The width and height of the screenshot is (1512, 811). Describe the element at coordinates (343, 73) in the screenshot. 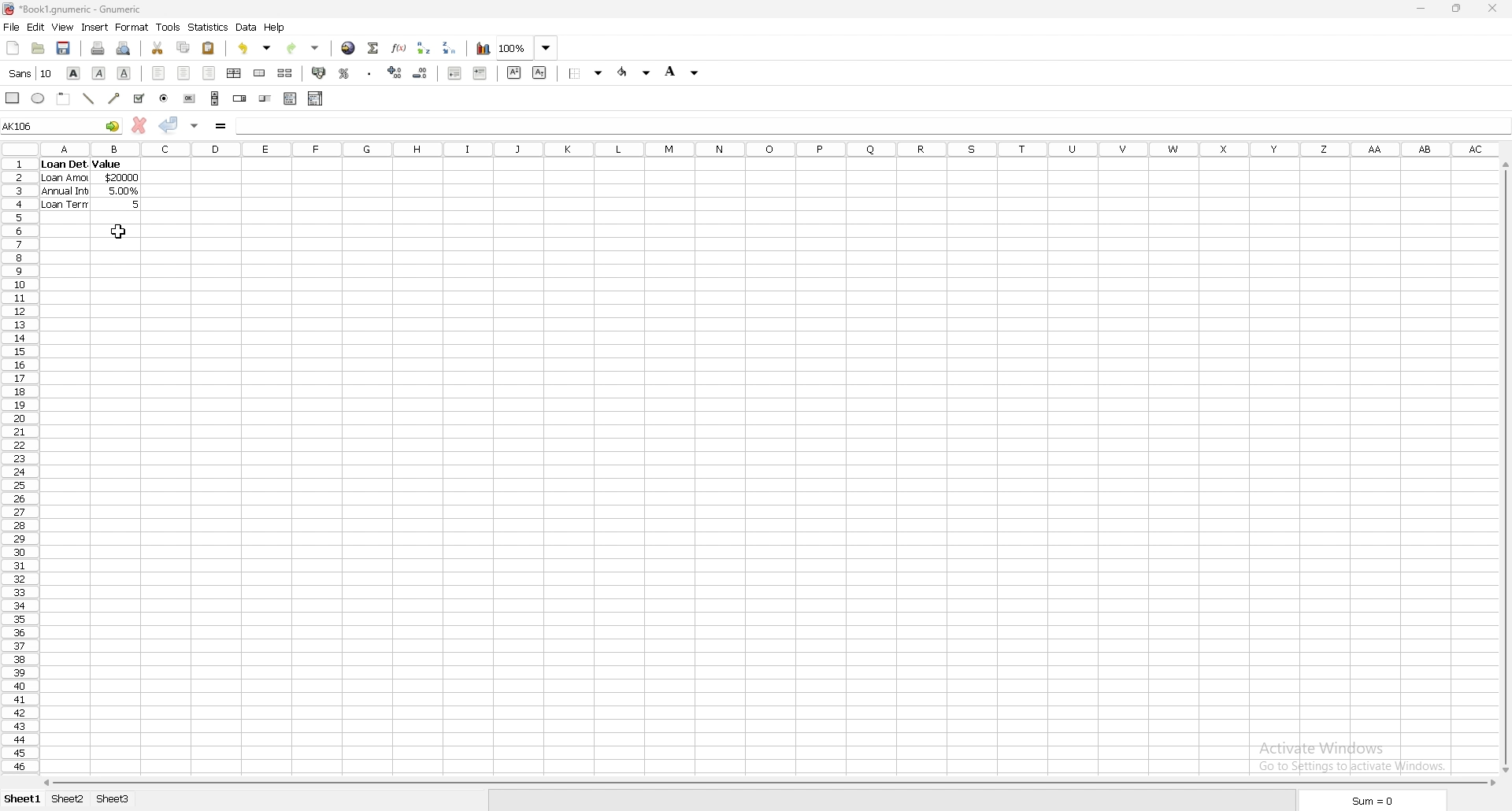

I see `percentage` at that location.